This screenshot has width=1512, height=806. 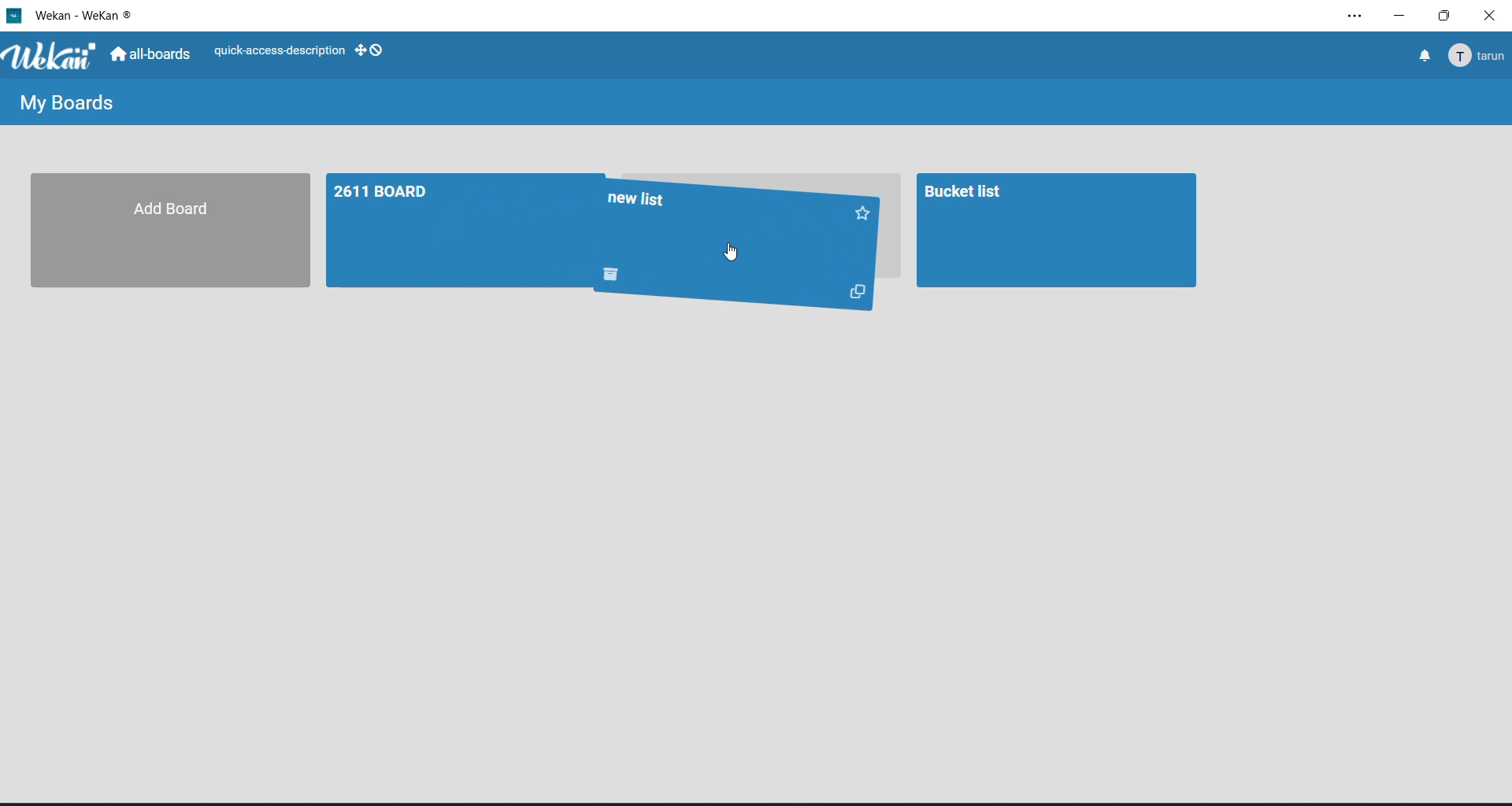 What do you see at coordinates (452, 230) in the screenshot?
I see `2611 BOARD` at bounding box center [452, 230].